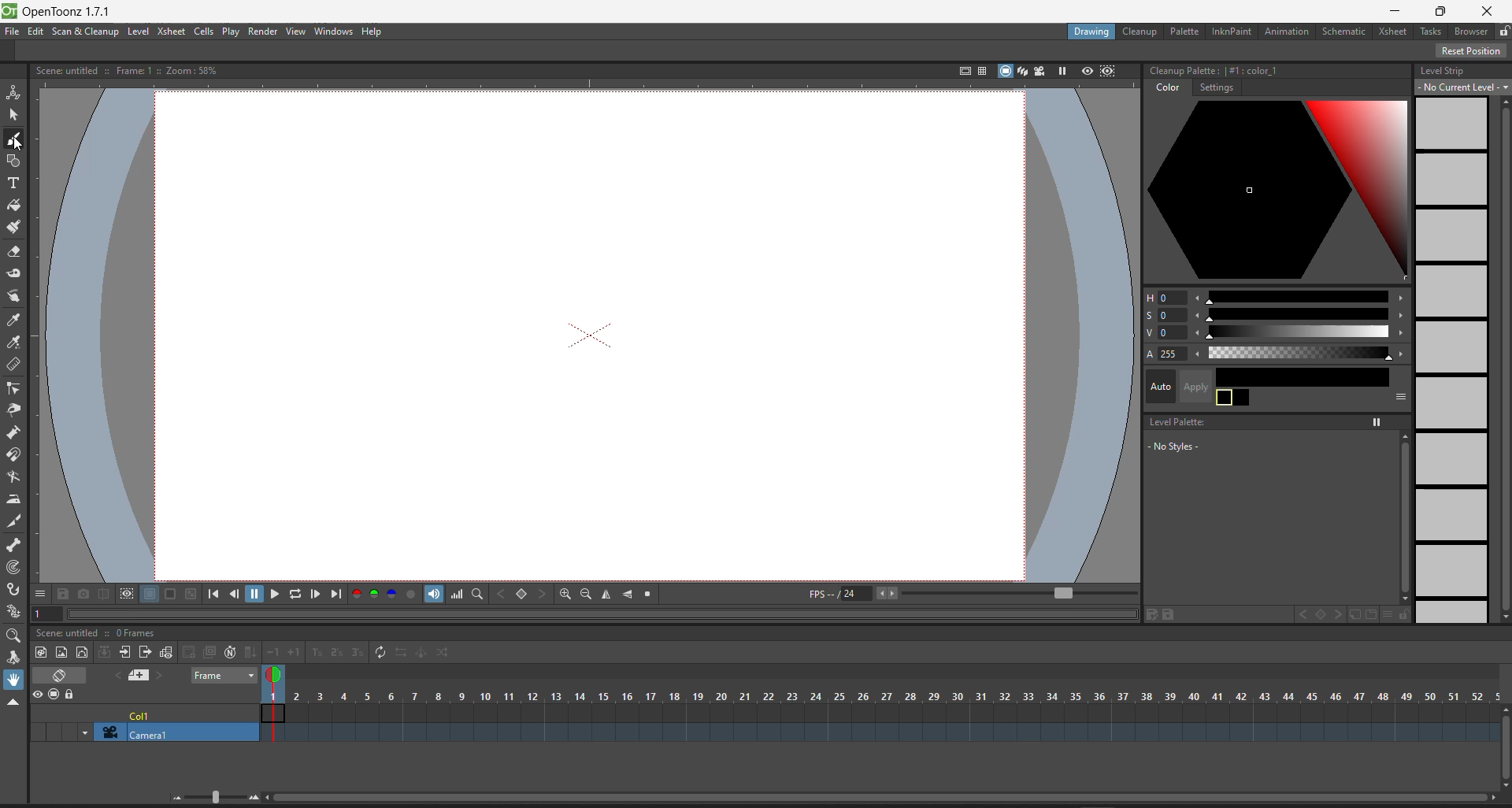 This screenshot has height=808, width=1512. What do you see at coordinates (1174, 447) in the screenshot?
I see `no styles` at bounding box center [1174, 447].